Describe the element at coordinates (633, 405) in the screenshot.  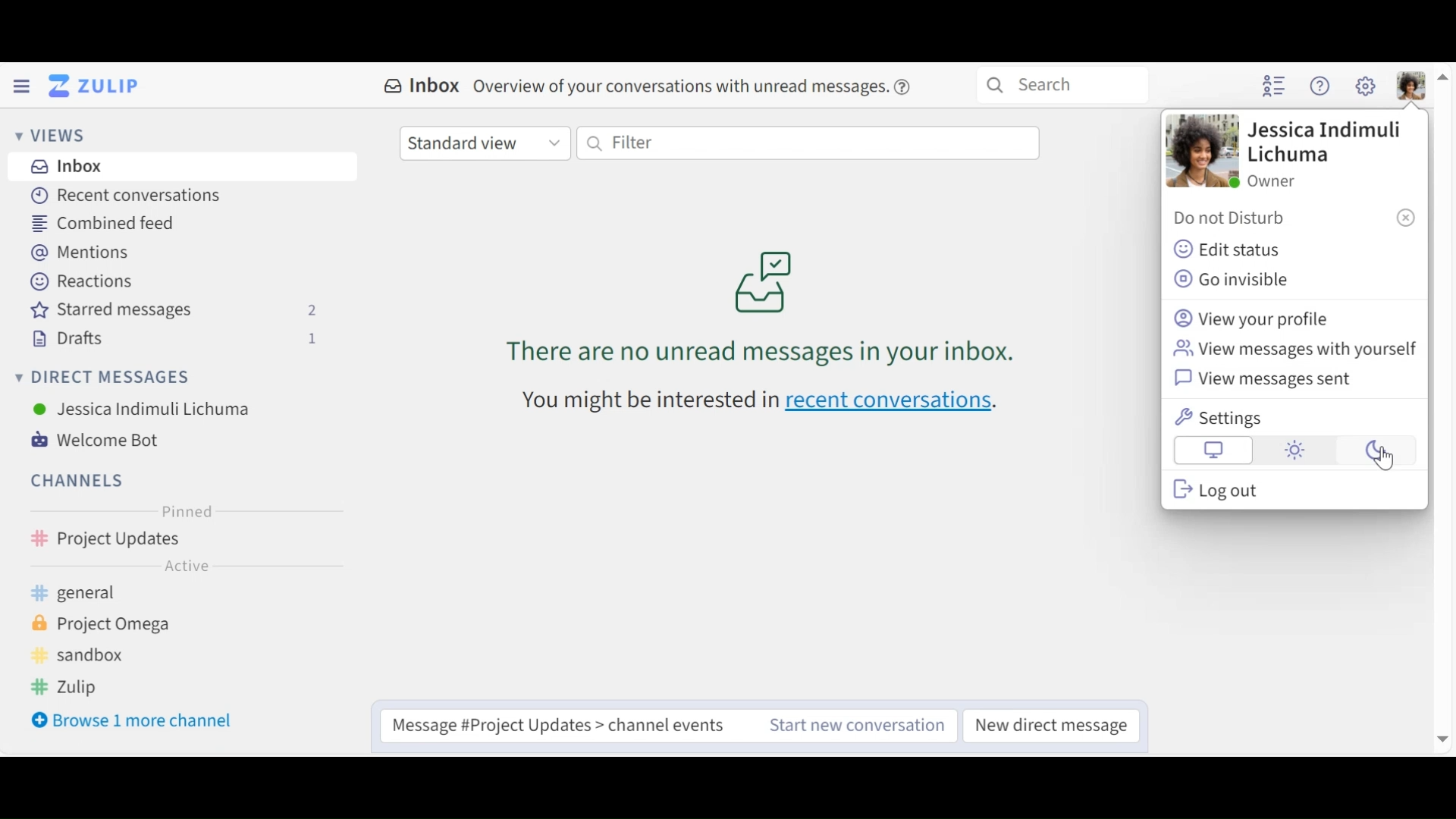
I see `You might be interested in` at that location.